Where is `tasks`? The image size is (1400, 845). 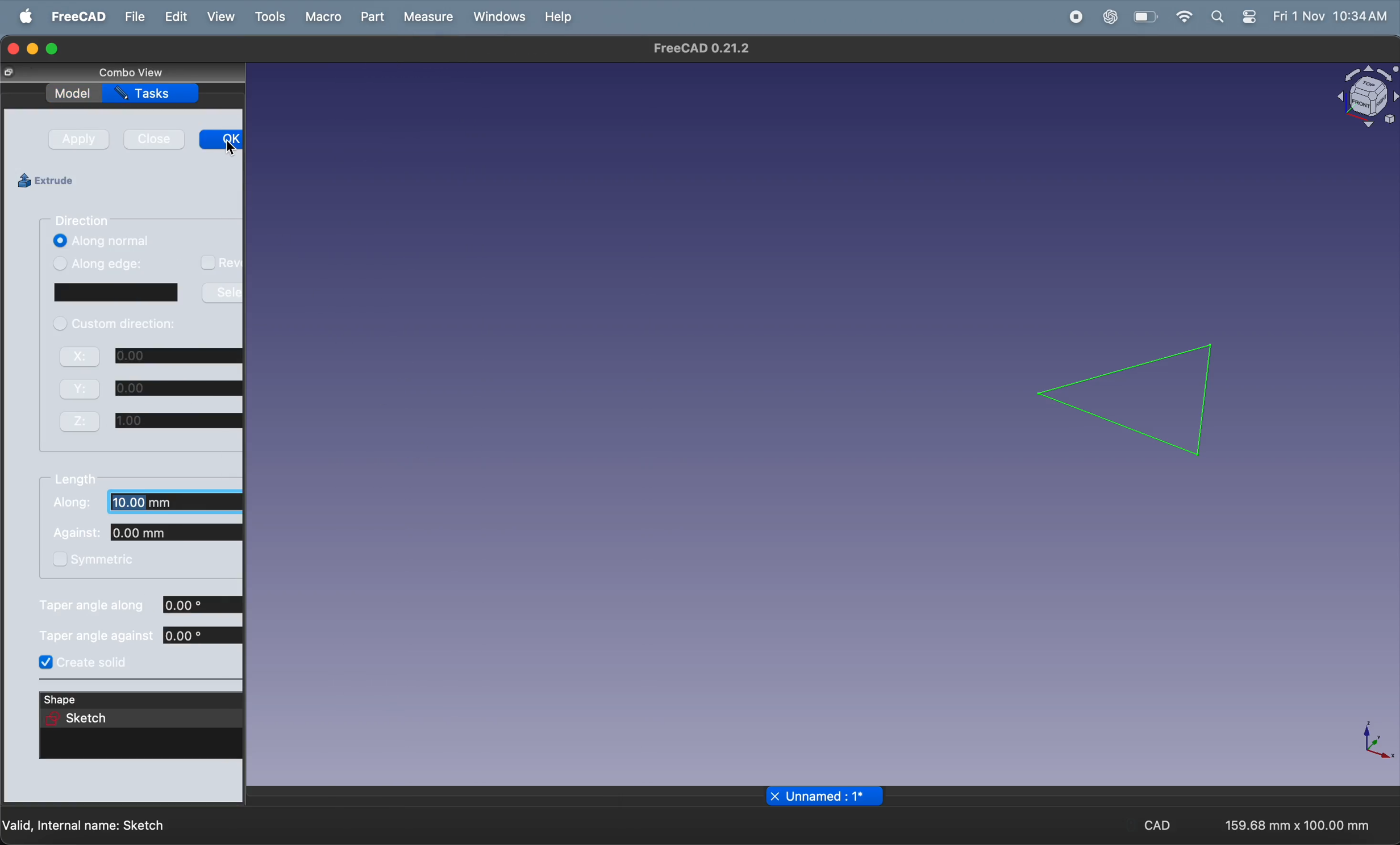
tasks is located at coordinates (145, 94).